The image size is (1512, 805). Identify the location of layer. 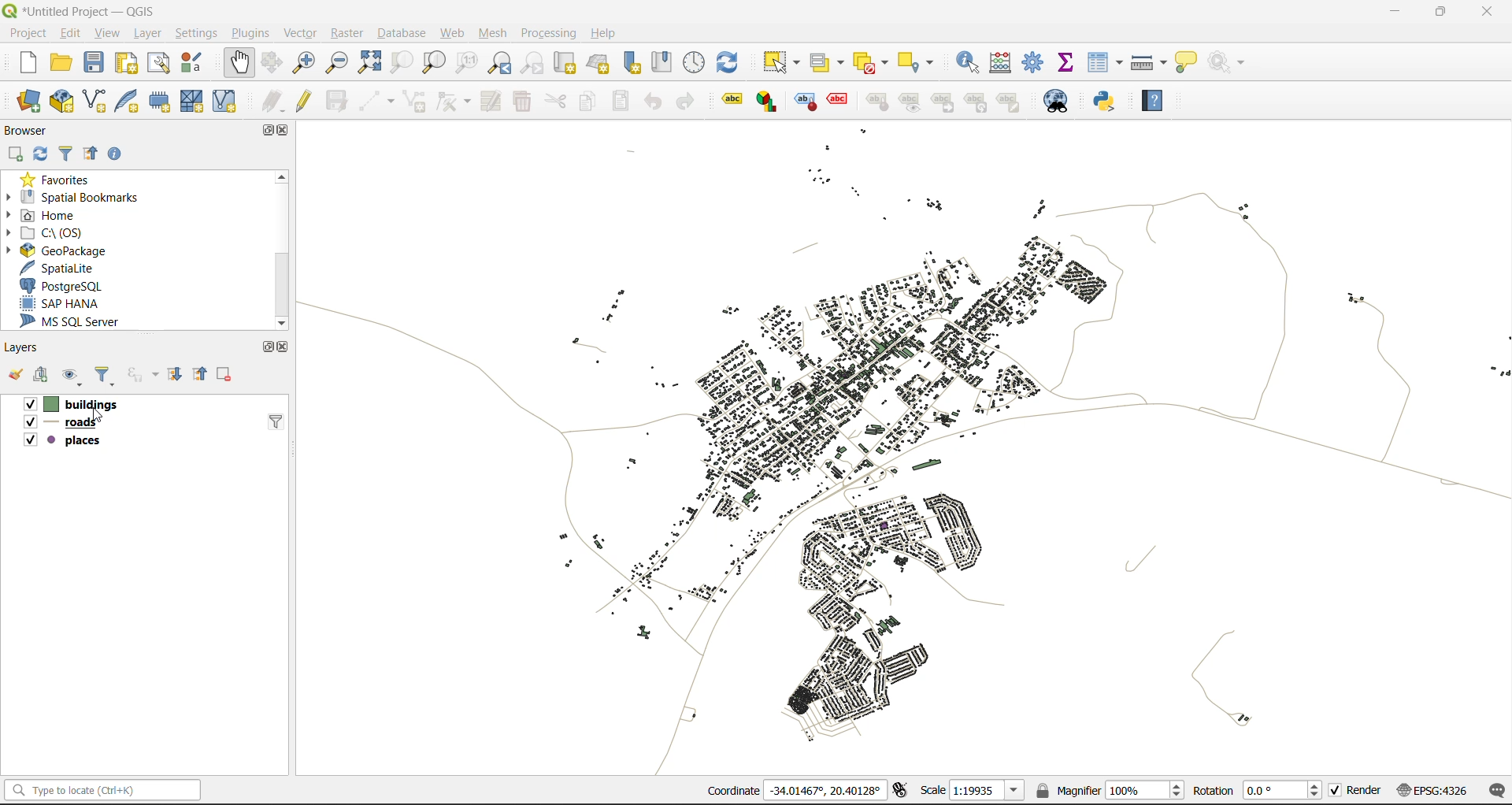
(146, 34).